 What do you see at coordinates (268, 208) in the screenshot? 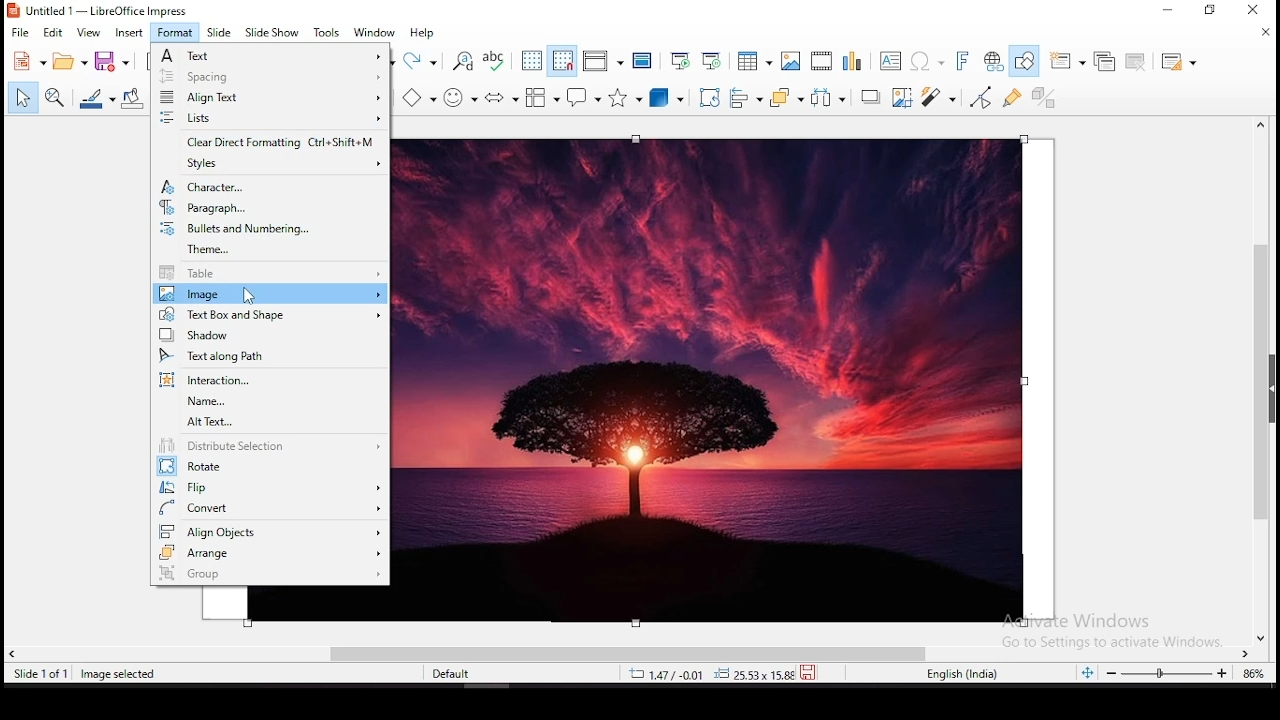
I see `paragraph` at bounding box center [268, 208].